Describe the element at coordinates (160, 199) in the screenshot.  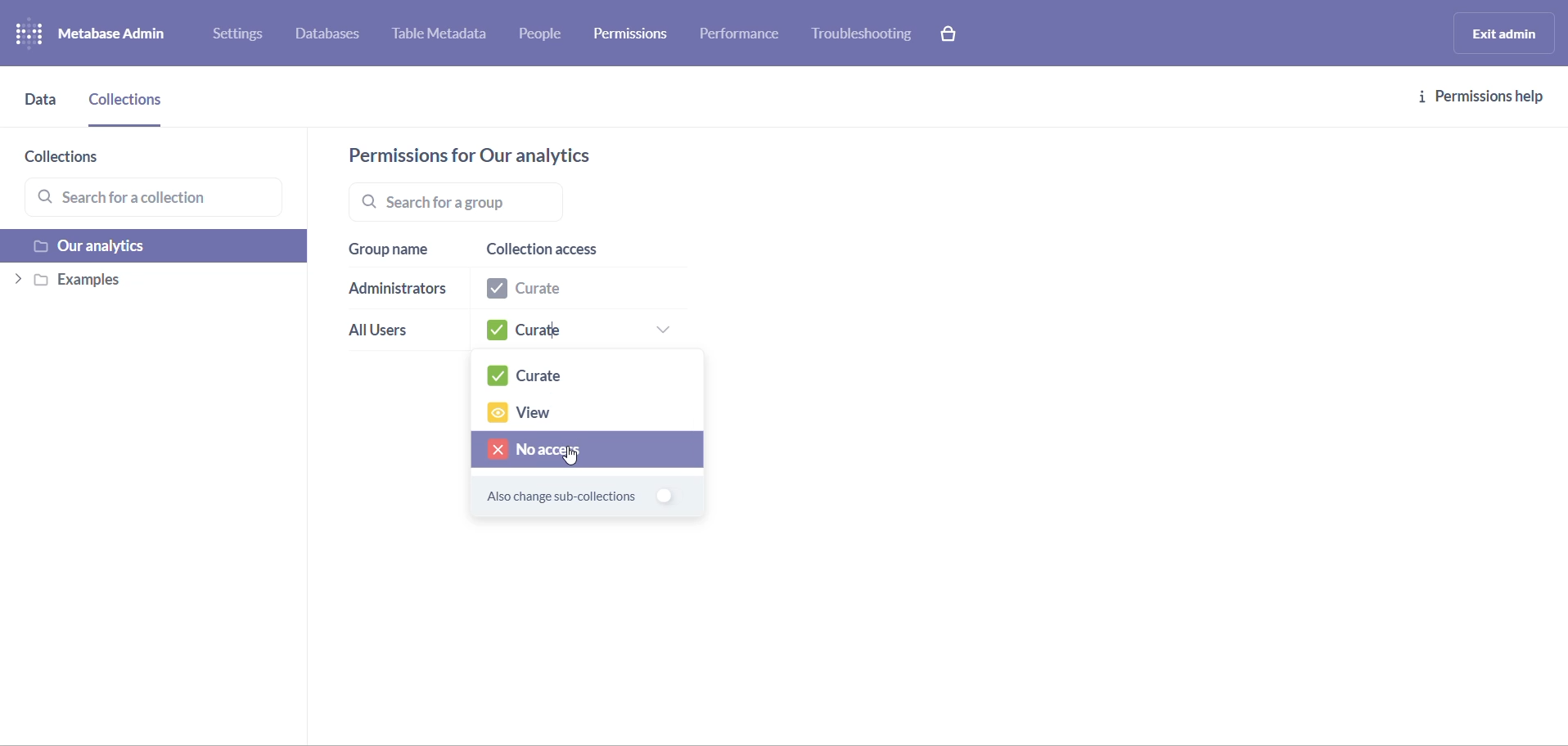
I see `search bar` at that location.